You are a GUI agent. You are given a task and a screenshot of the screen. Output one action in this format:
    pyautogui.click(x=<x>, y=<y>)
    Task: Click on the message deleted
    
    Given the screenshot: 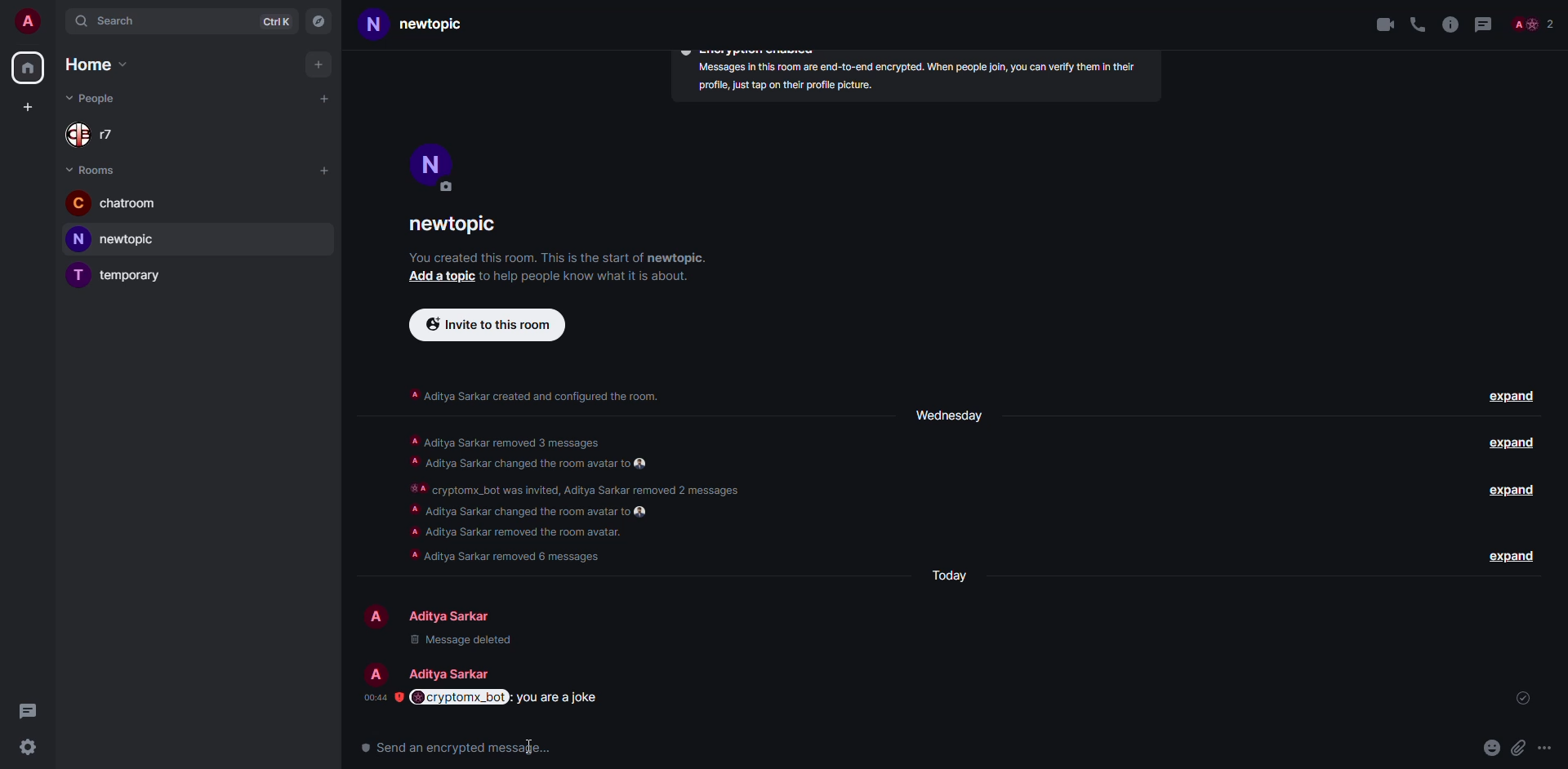 What is the action you would take?
    pyautogui.click(x=483, y=642)
    